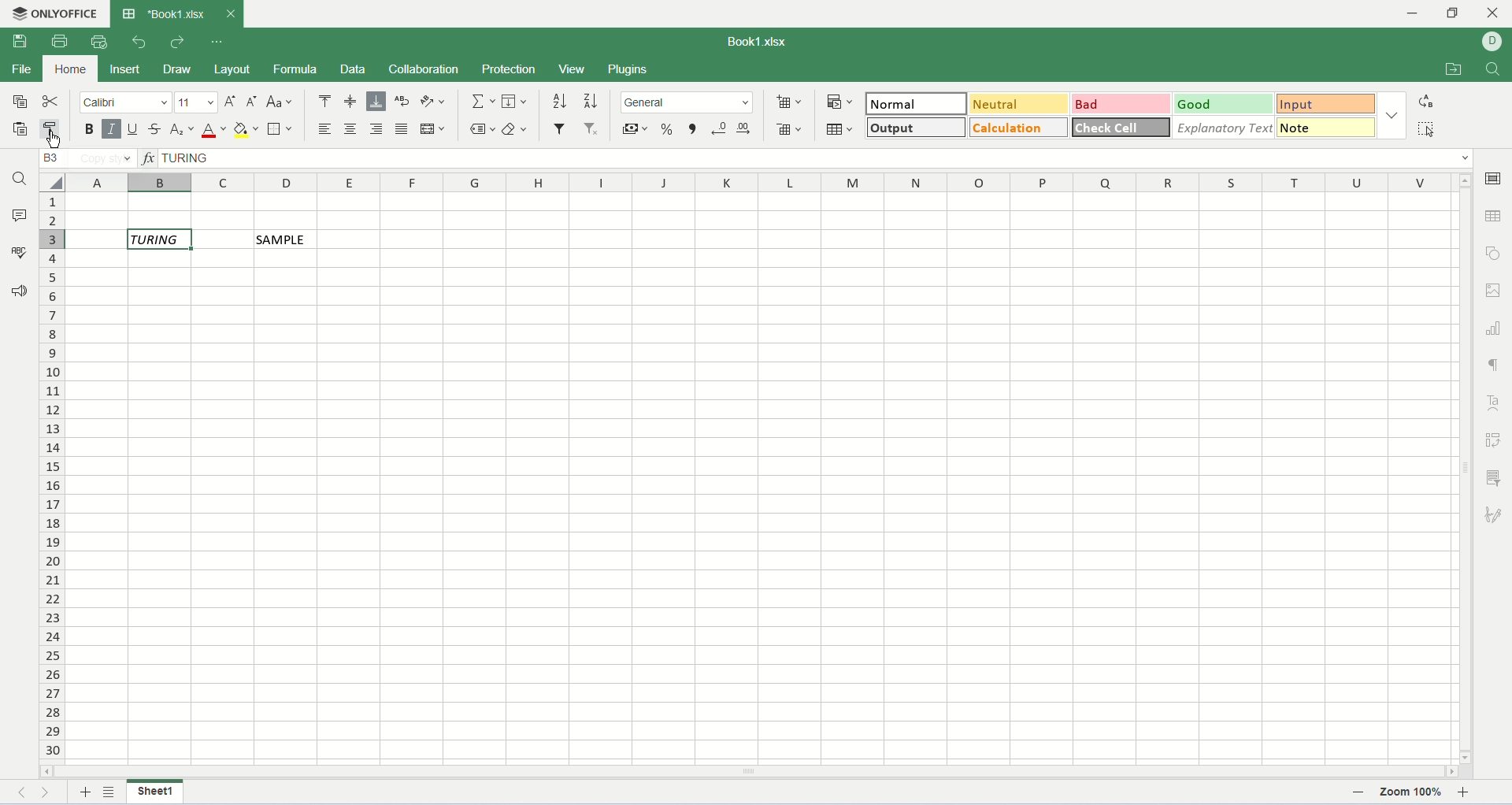 The width and height of the screenshot is (1512, 805). I want to click on document name, so click(754, 43).